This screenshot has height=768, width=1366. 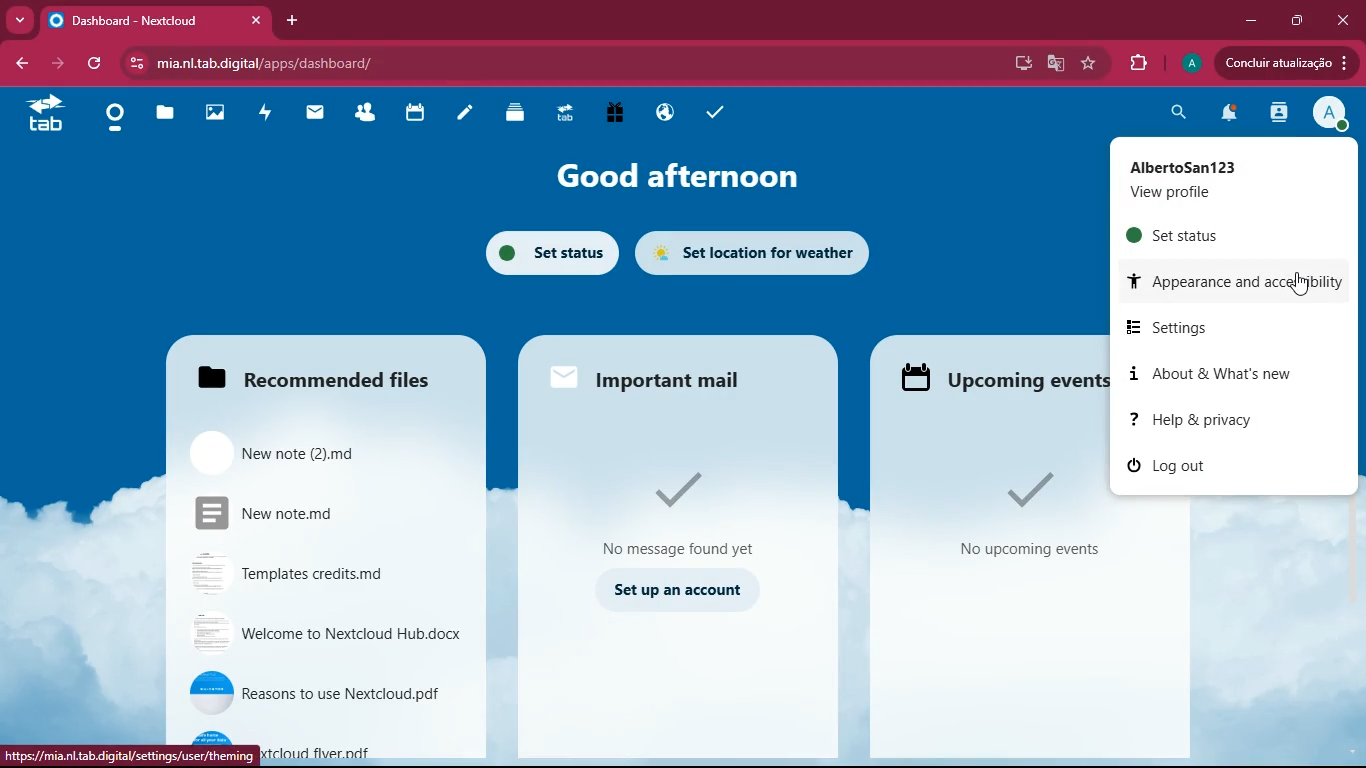 What do you see at coordinates (1088, 63) in the screenshot?
I see `favorite` at bounding box center [1088, 63].